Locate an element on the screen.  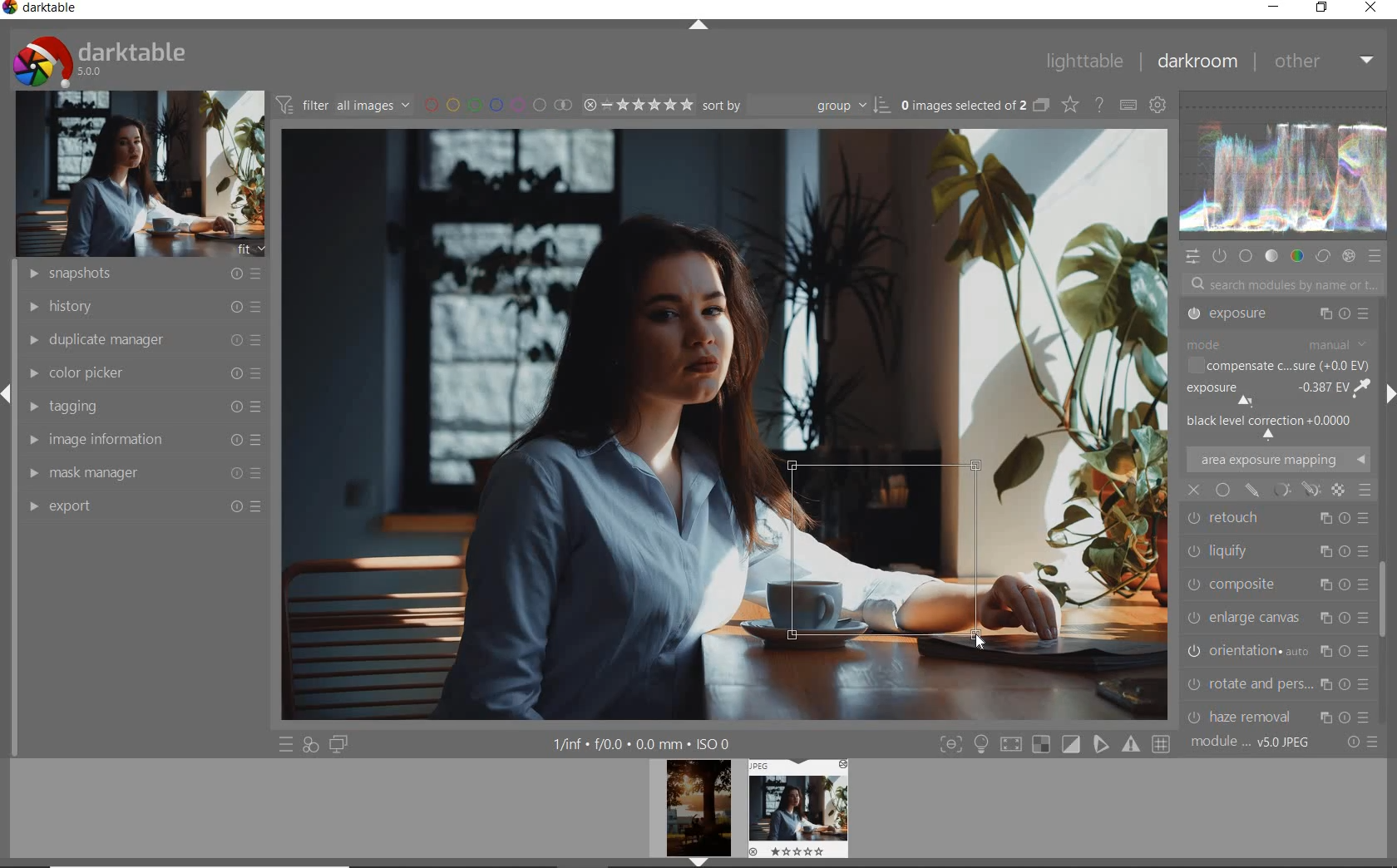
ENLARGE CANVAS is located at coordinates (1277, 514).